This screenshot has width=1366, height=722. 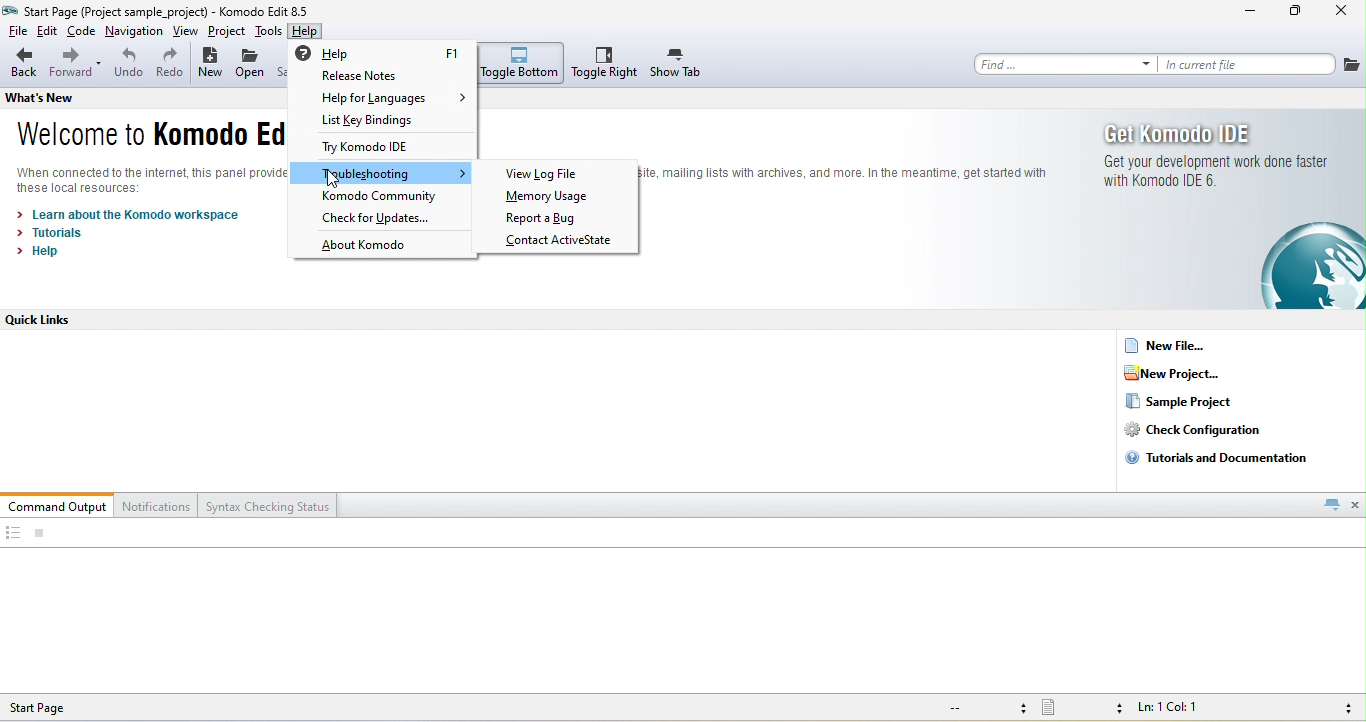 I want to click on start page, so click(x=55, y=707).